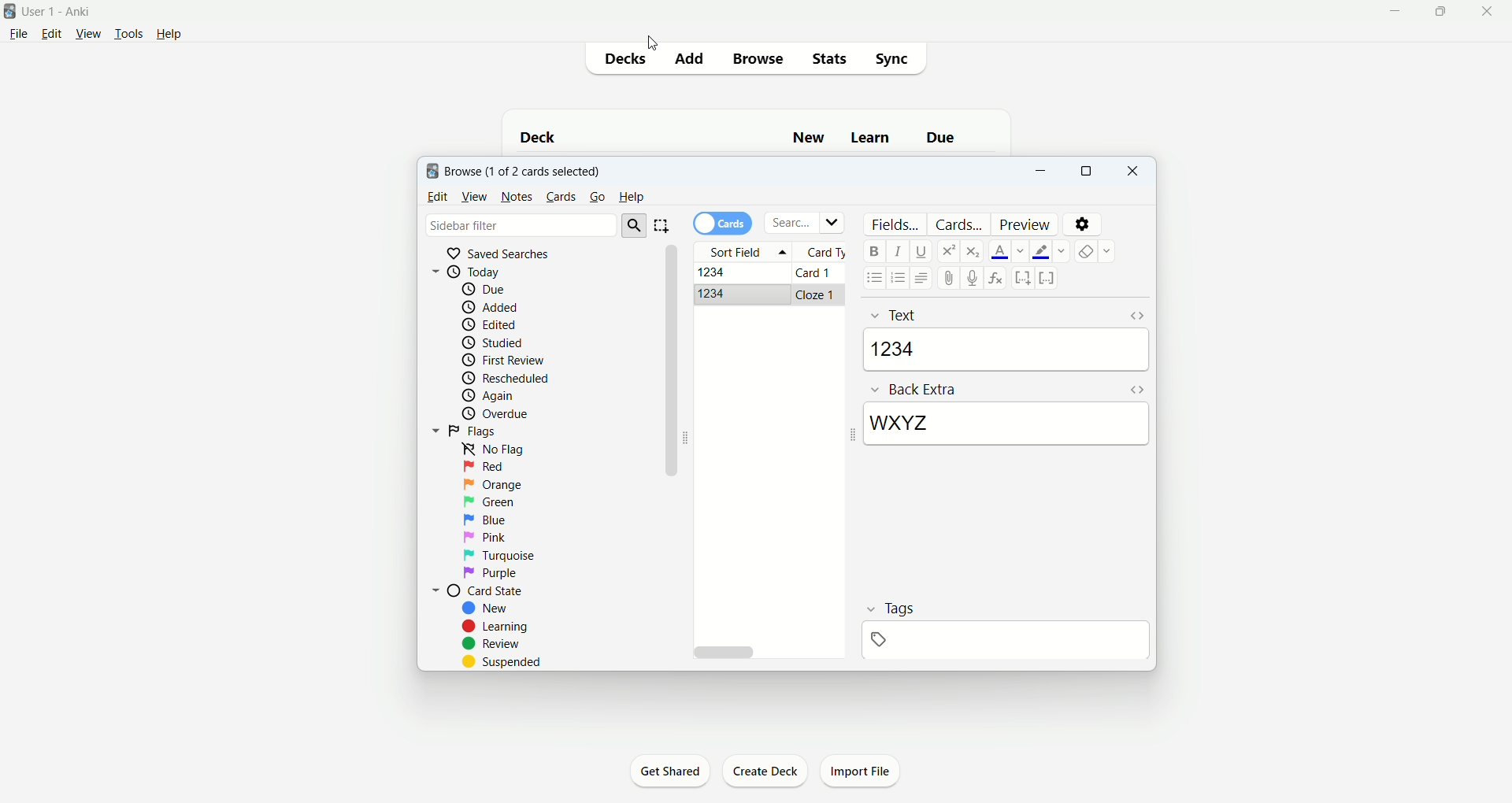 This screenshot has width=1512, height=803. I want to click on cloze card, so click(772, 296).